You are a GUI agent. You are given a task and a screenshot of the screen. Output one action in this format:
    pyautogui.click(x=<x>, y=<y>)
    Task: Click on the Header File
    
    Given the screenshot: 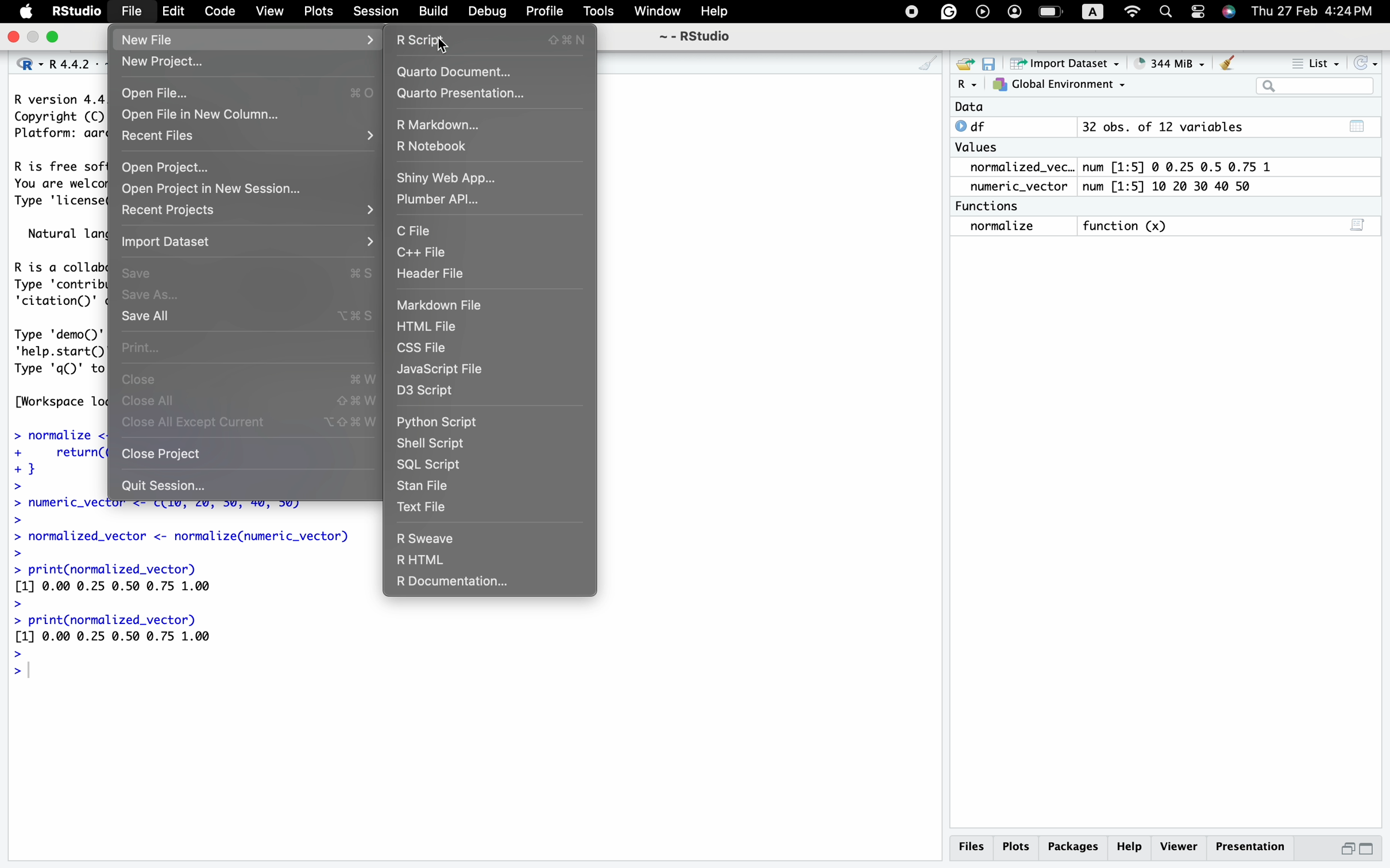 What is the action you would take?
    pyautogui.click(x=428, y=276)
    